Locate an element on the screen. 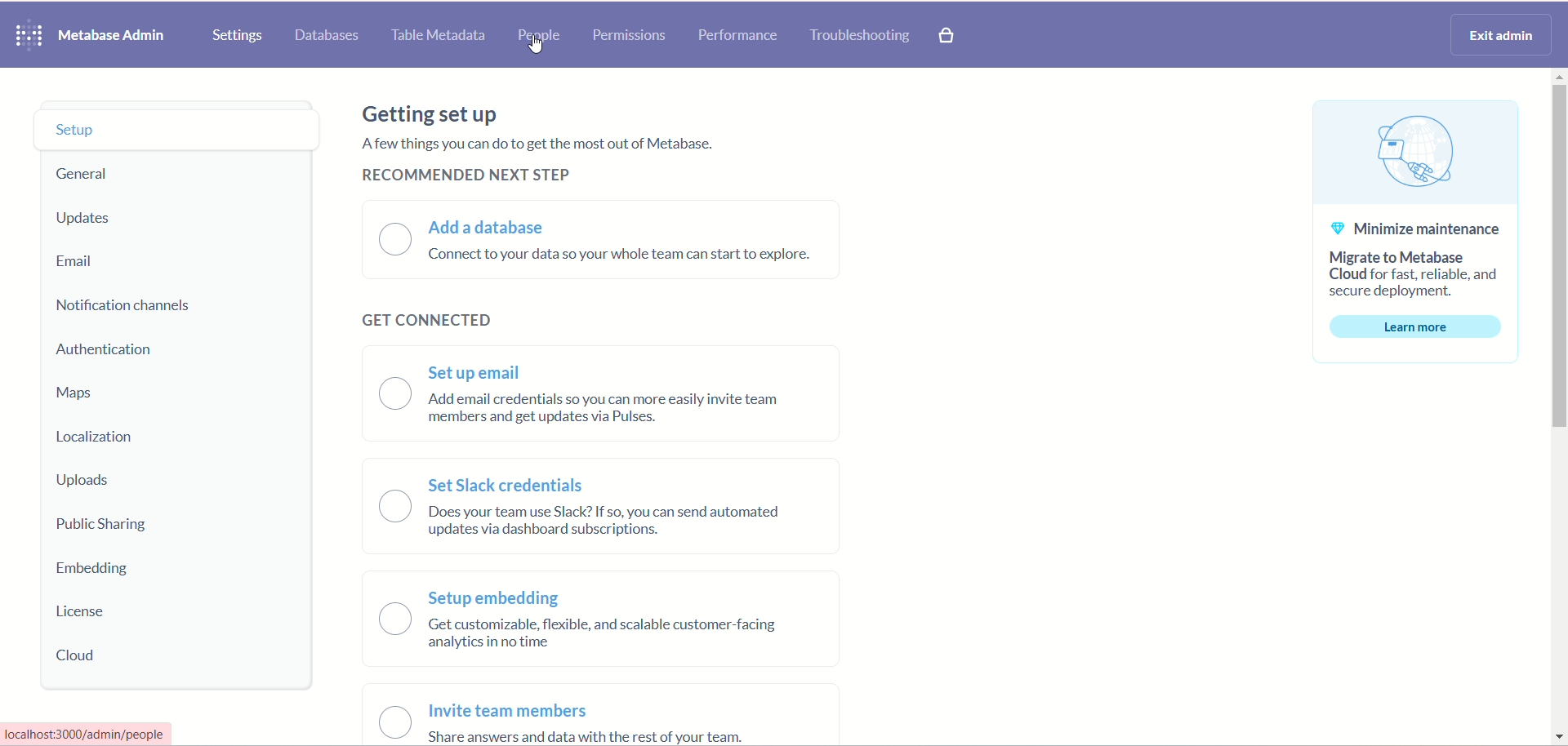 The height and width of the screenshot is (746, 1568). permissions is located at coordinates (630, 37).